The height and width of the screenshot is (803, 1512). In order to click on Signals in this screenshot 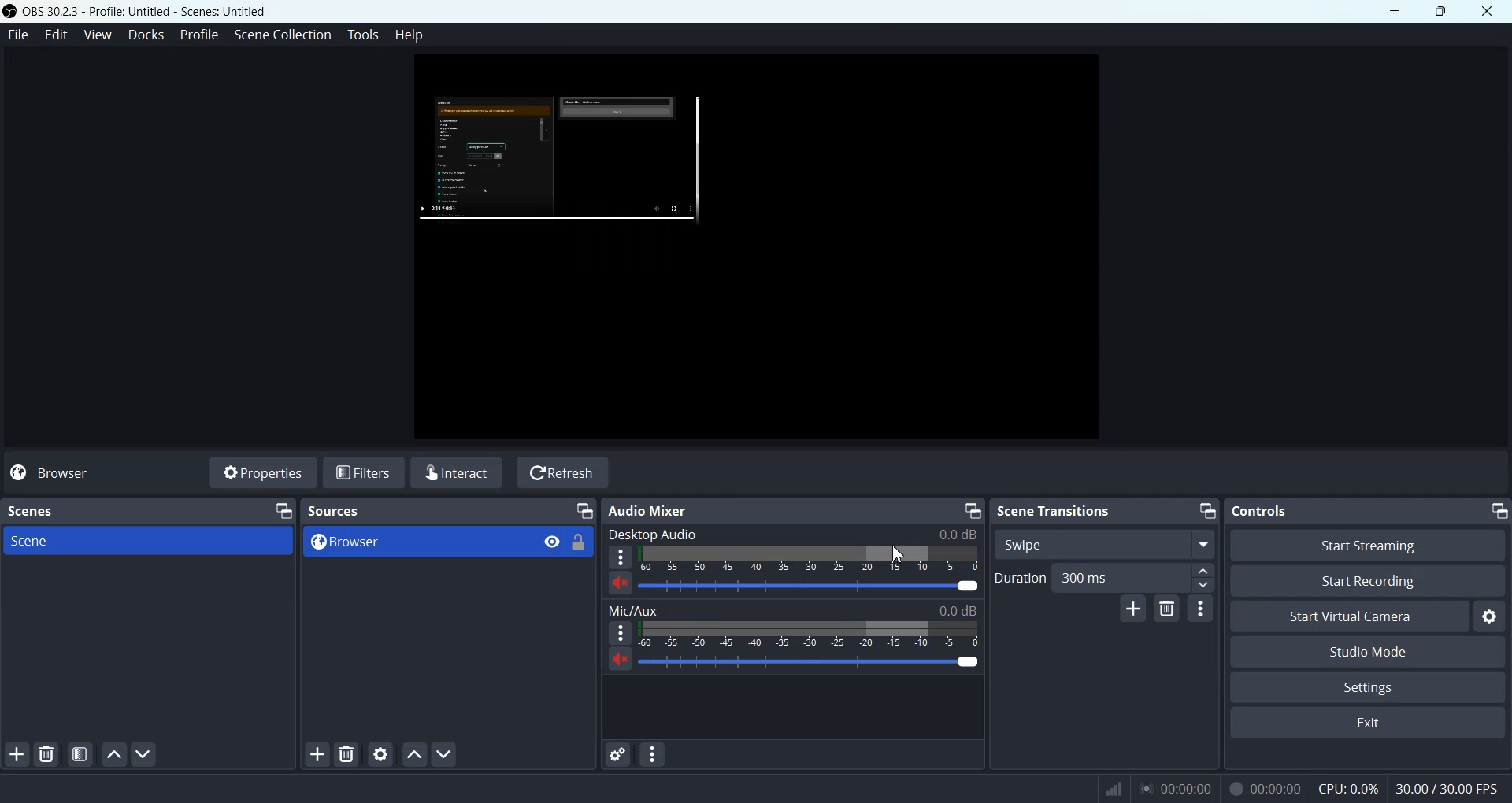, I will do `click(1104, 786)`.